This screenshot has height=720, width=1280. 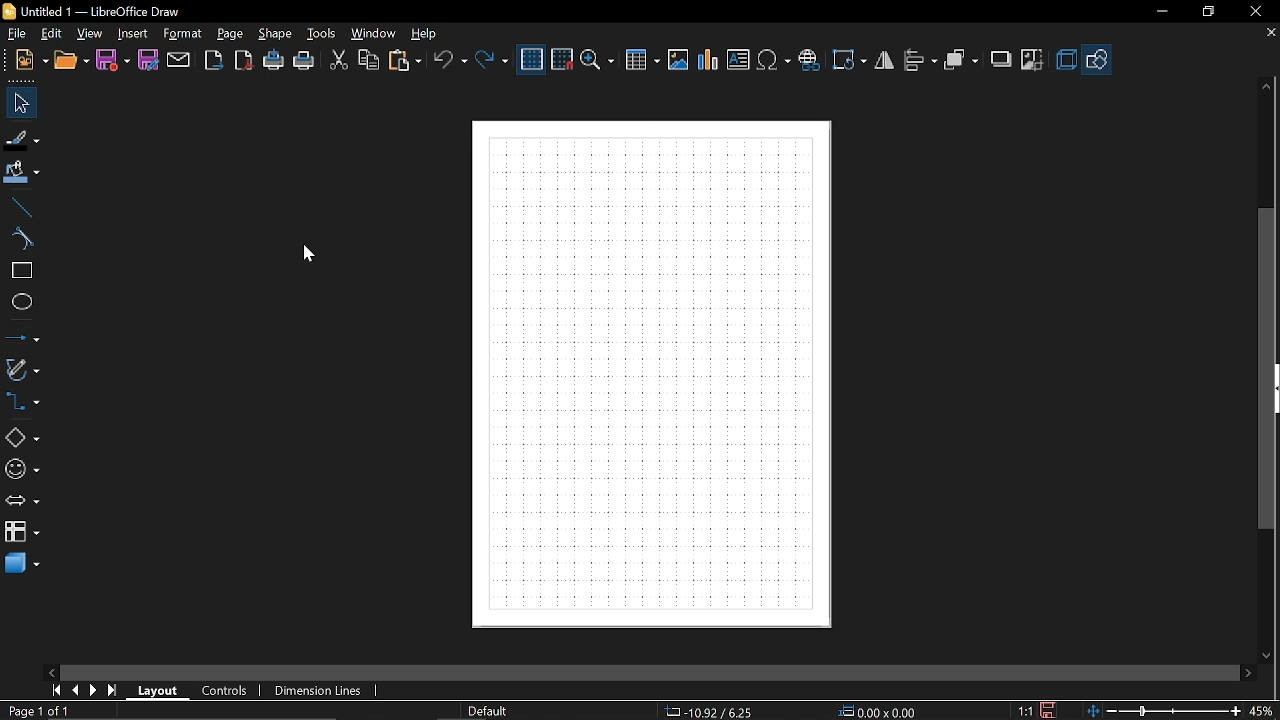 I want to click on hide, expand , so click(x=1277, y=389).